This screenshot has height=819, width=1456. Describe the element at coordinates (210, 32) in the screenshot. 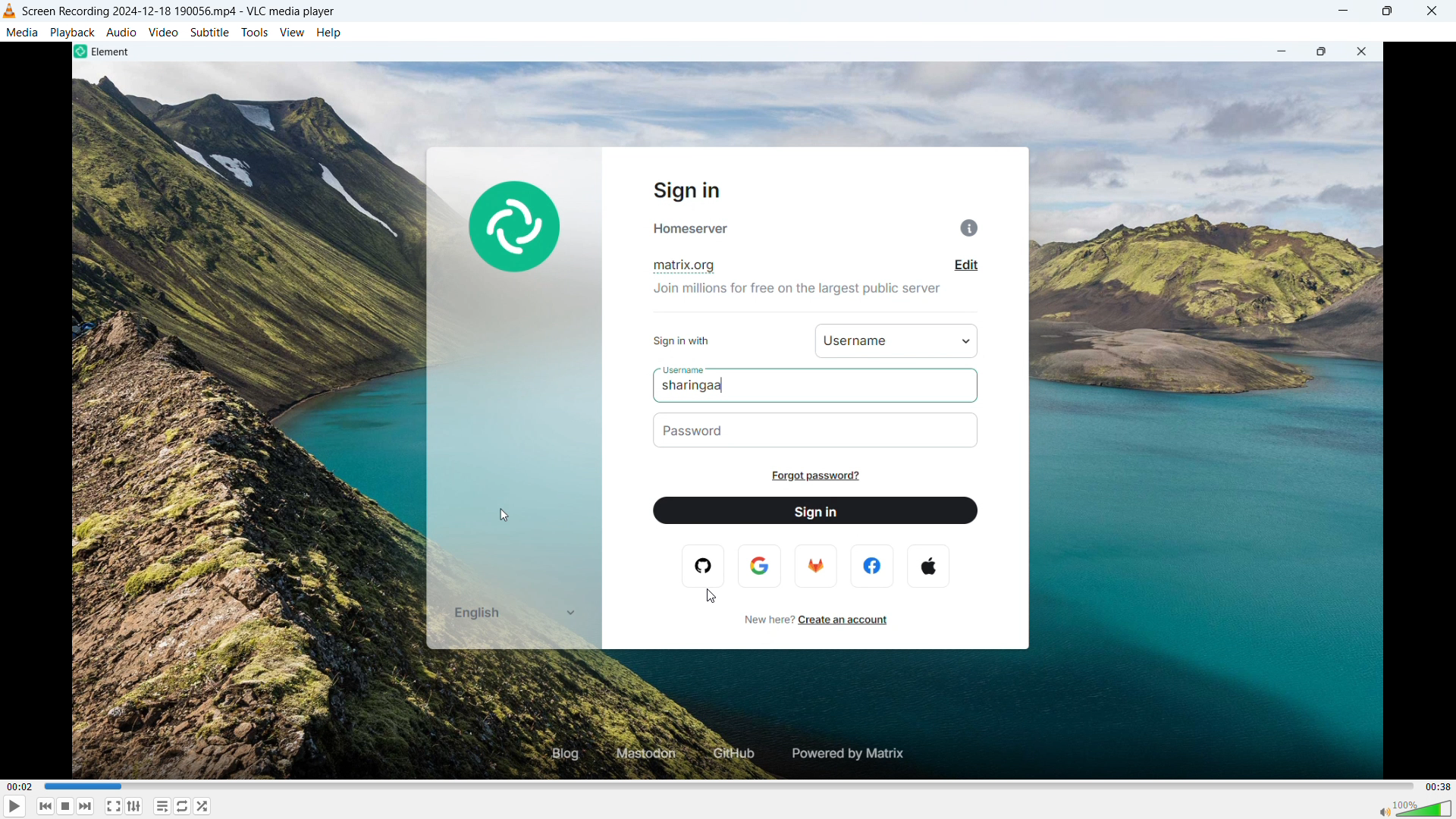

I see `subtitle` at that location.